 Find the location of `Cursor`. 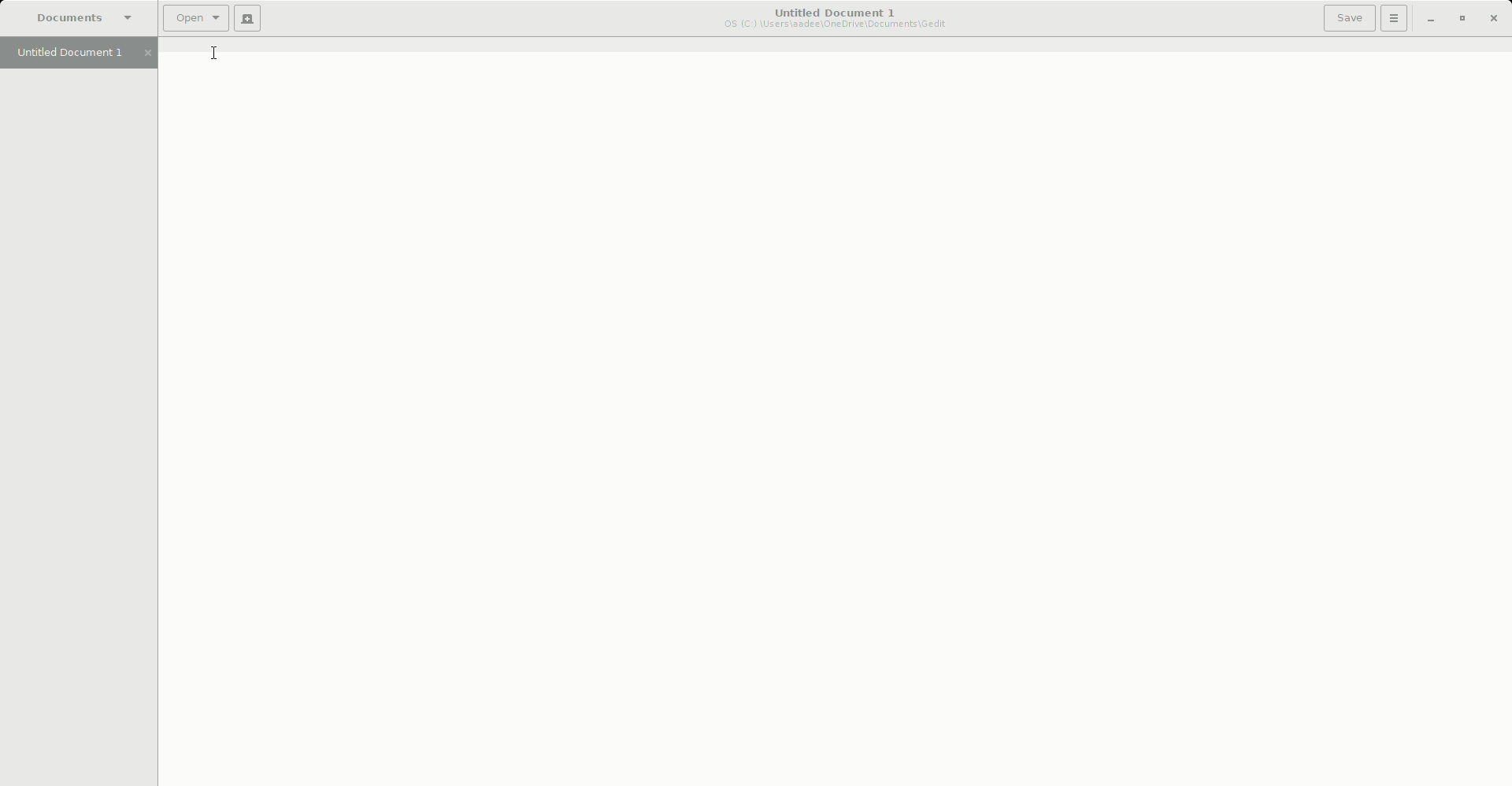

Cursor is located at coordinates (216, 54).